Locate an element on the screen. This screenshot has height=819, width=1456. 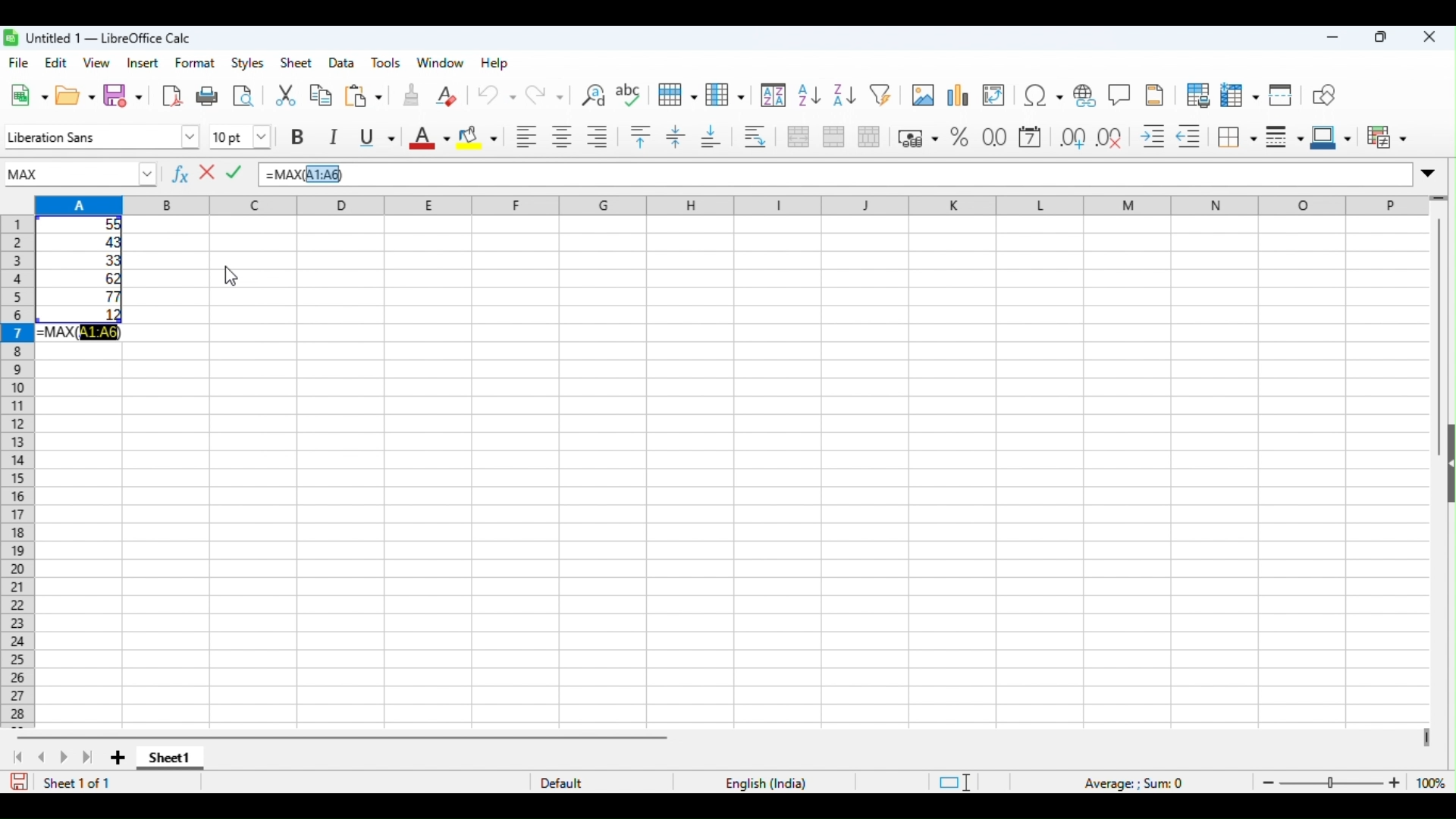
align left is located at coordinates (527, 137).